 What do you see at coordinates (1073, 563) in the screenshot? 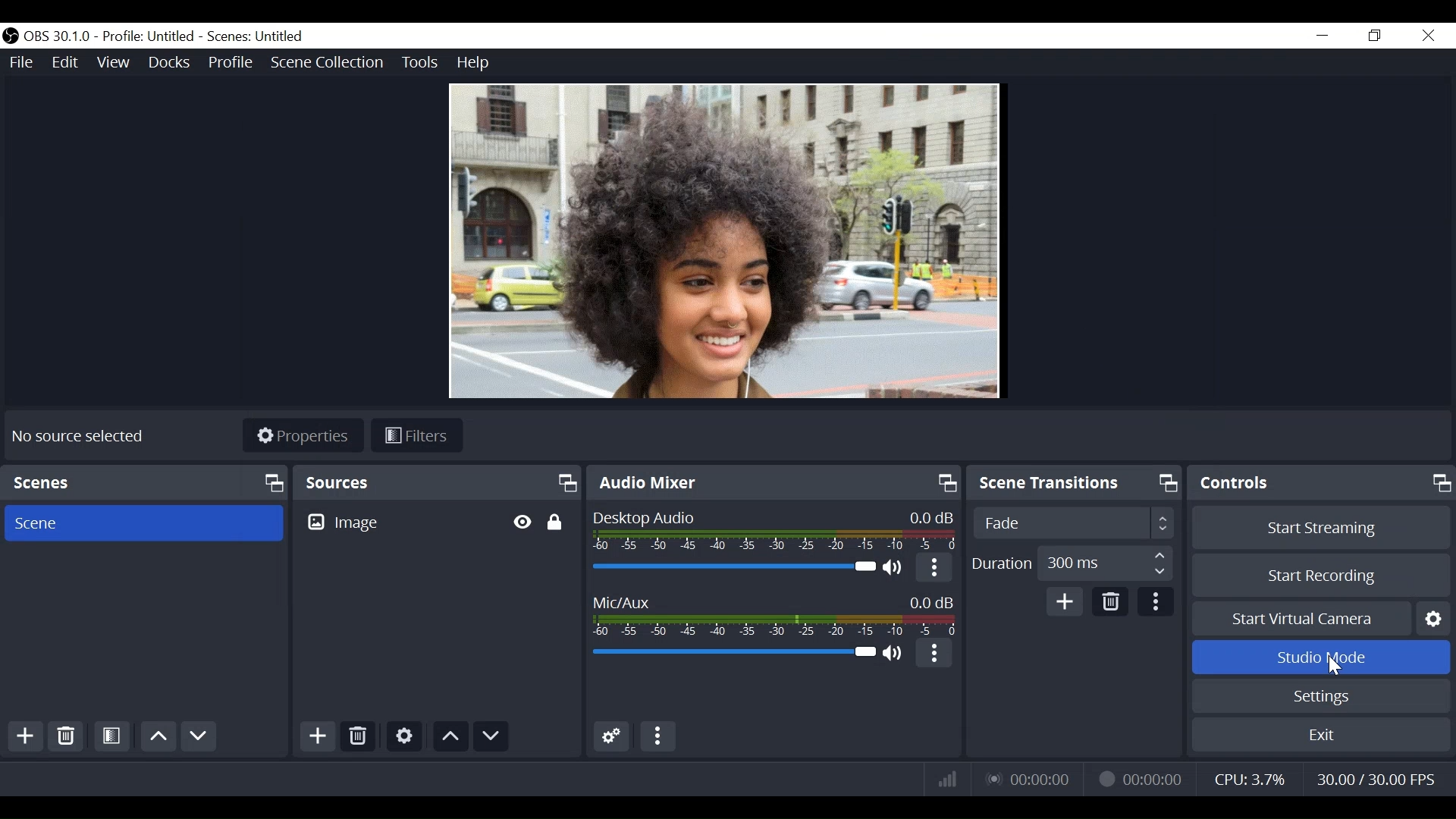
I see `Adjust Duration` at bounding box center [1073, 563].